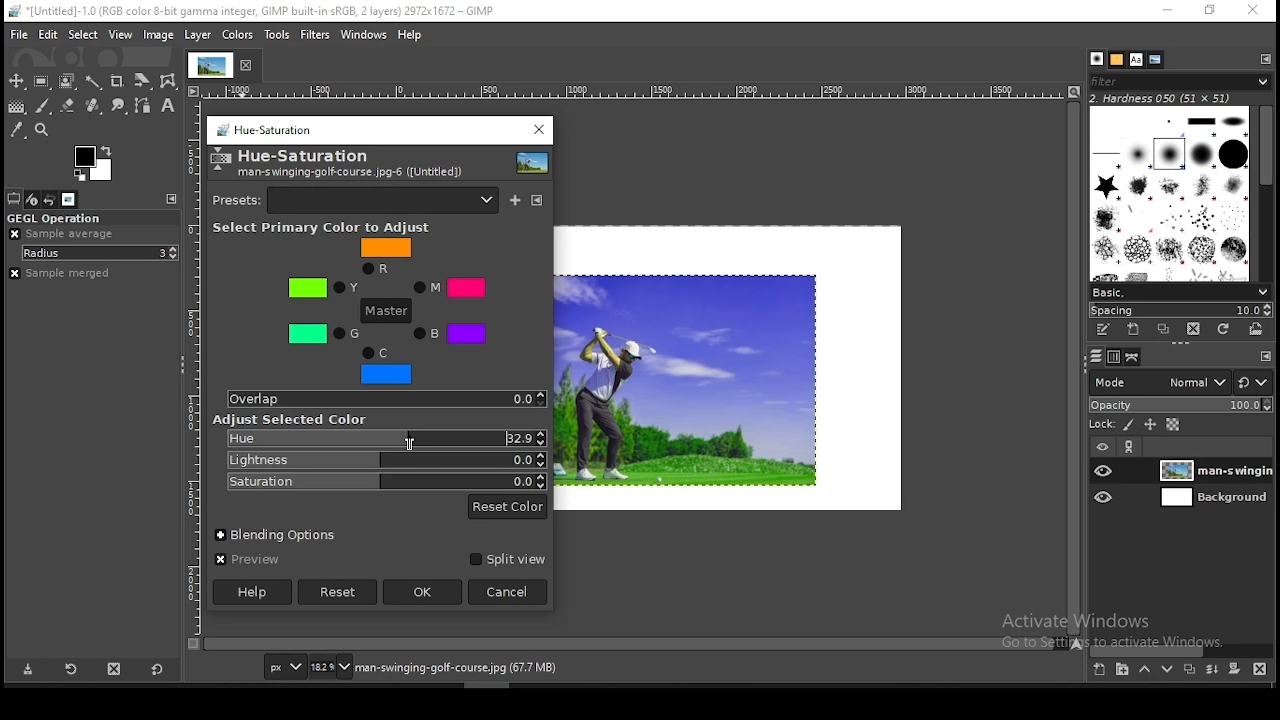  I want to click on channels, so click(1113, 359).